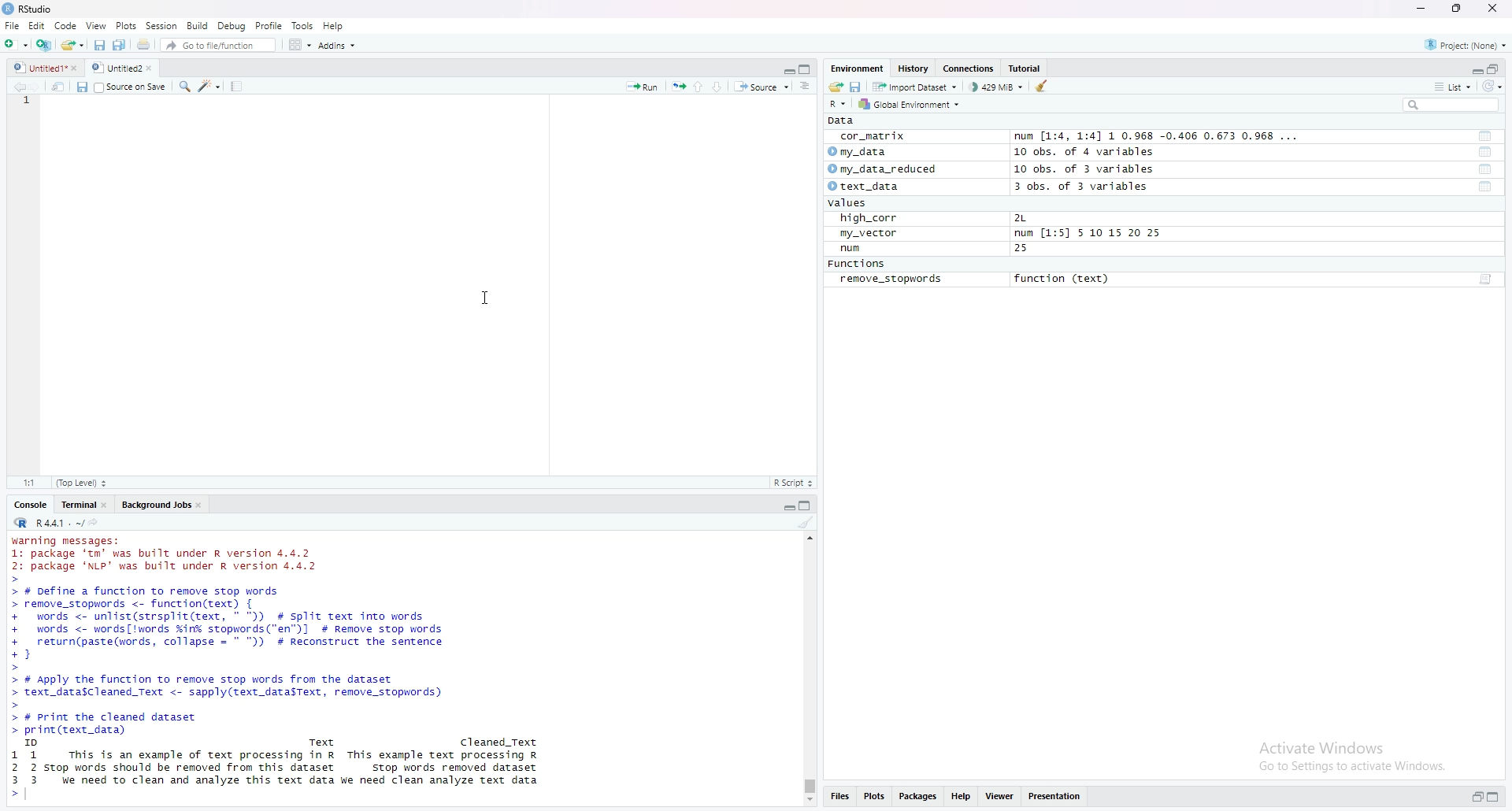  Describe the element at coordinates (130, 69) in the screenshot. I see `Untitled2` at that location.